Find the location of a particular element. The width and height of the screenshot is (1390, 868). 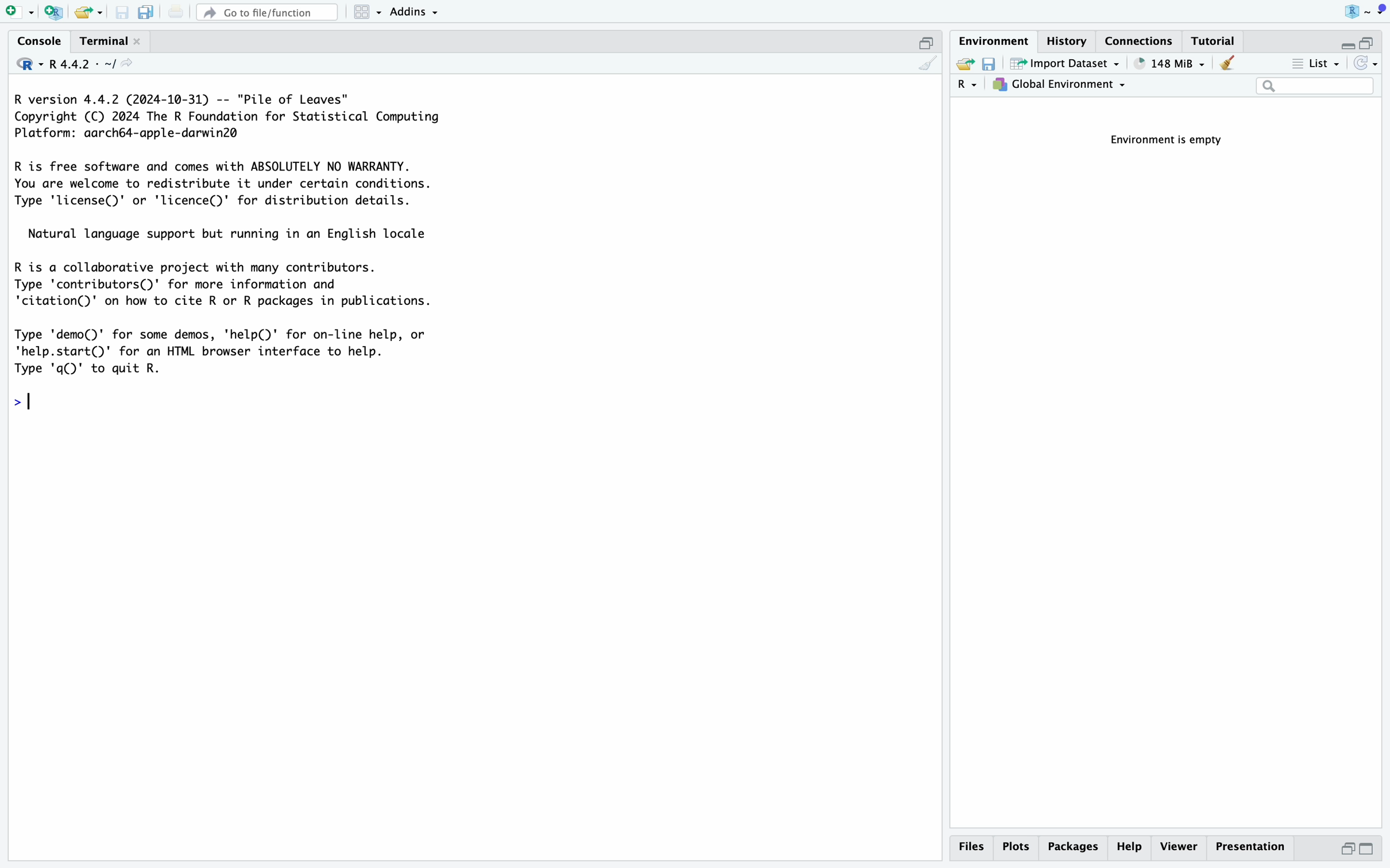

history is located at coordinates (1071, 40).